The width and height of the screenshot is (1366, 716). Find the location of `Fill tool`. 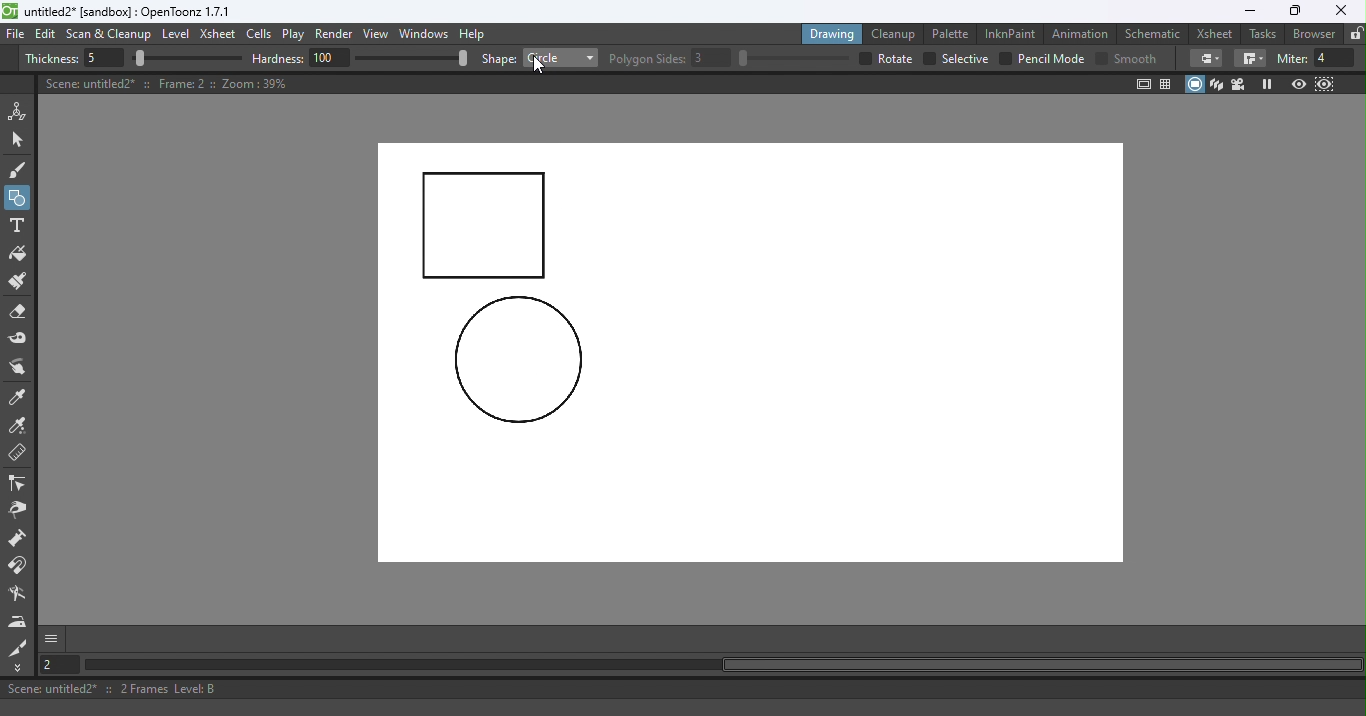

Fill tool is located at coordinates (18, 256).